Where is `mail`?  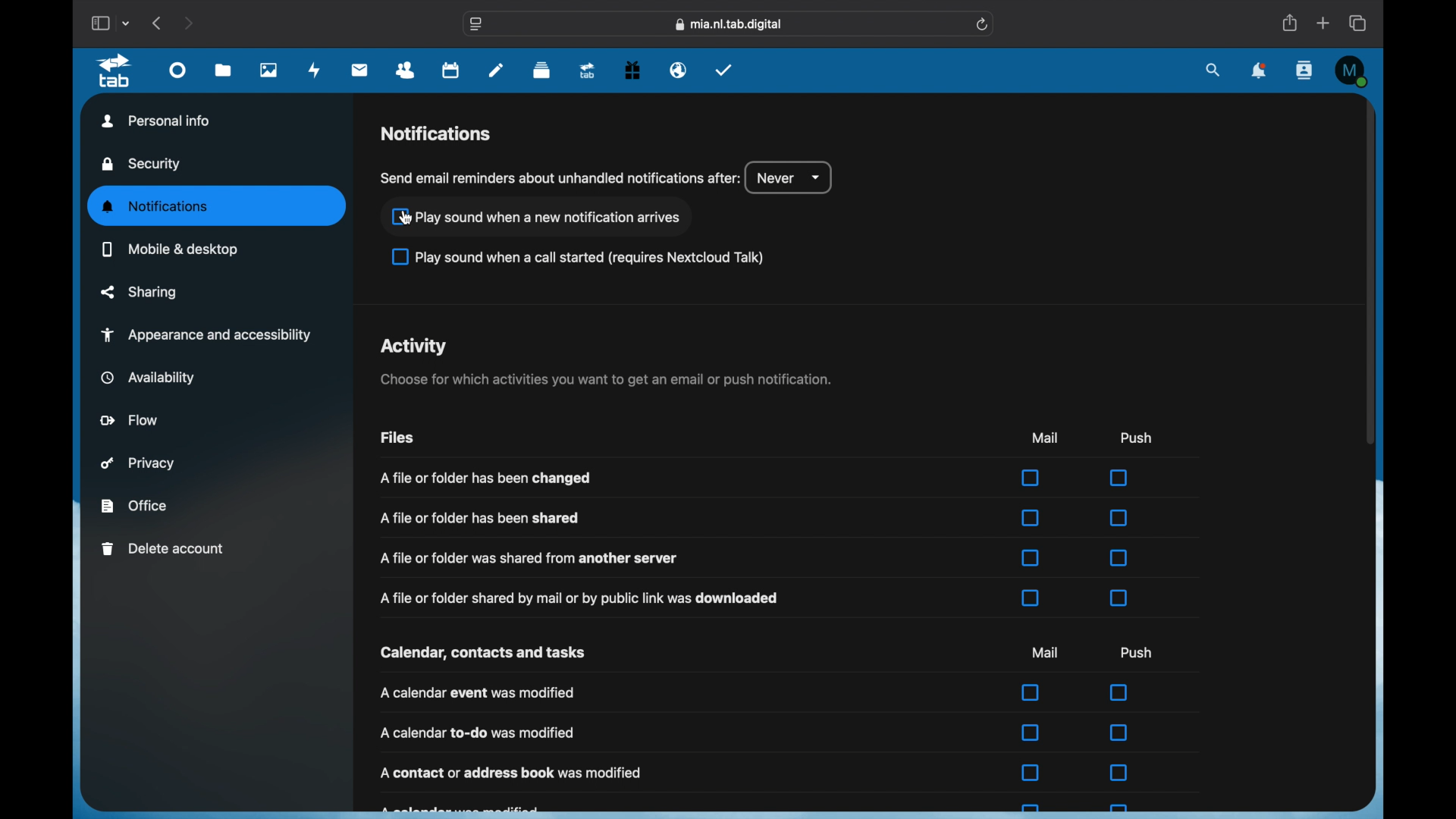 mail is located at coordinates (359, 70).